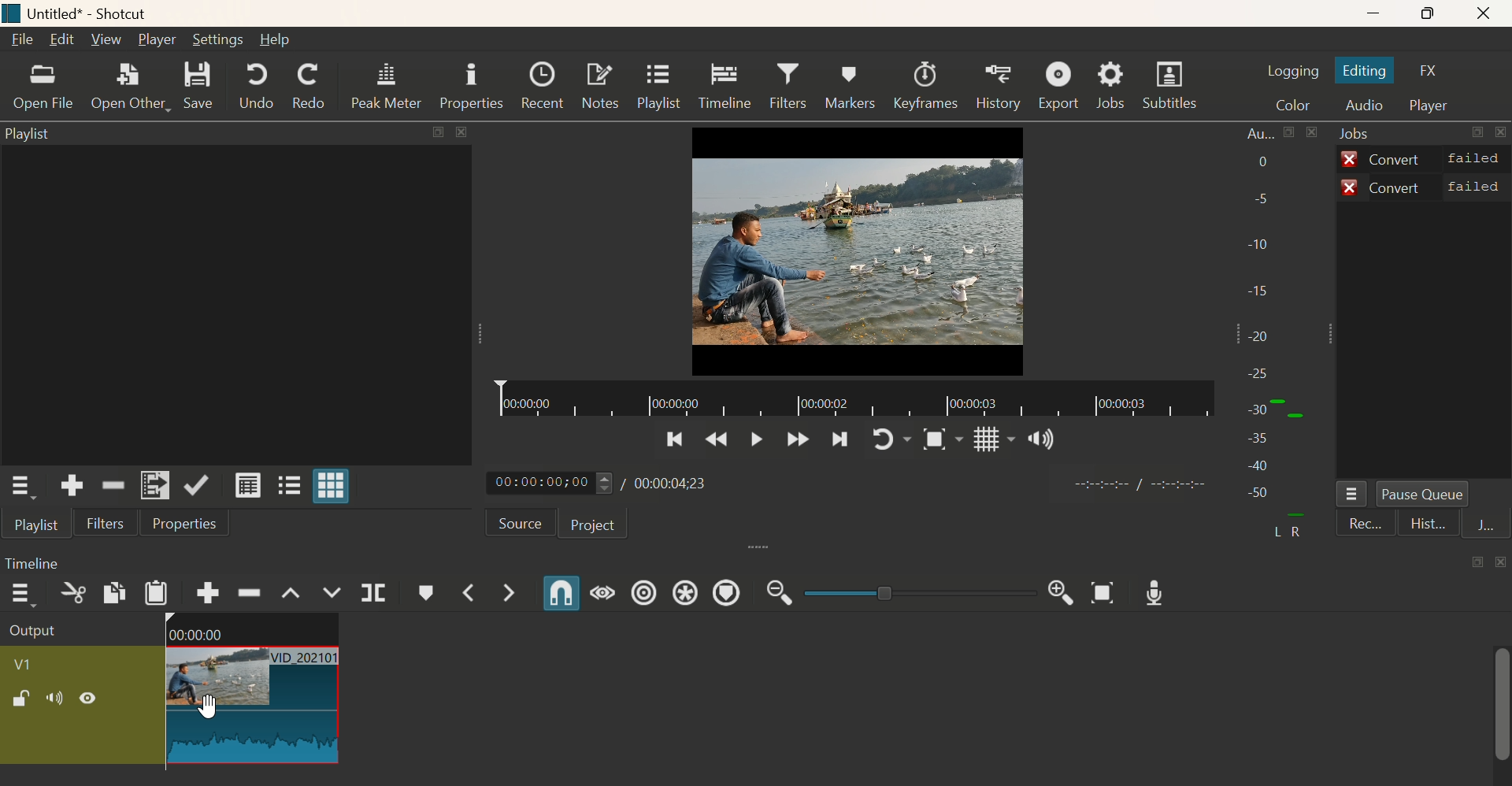 The image size is (1512, 786). What do you see at coordinates (603, 595) in the screenshot?
I see `` at bounding box center [603, 595].